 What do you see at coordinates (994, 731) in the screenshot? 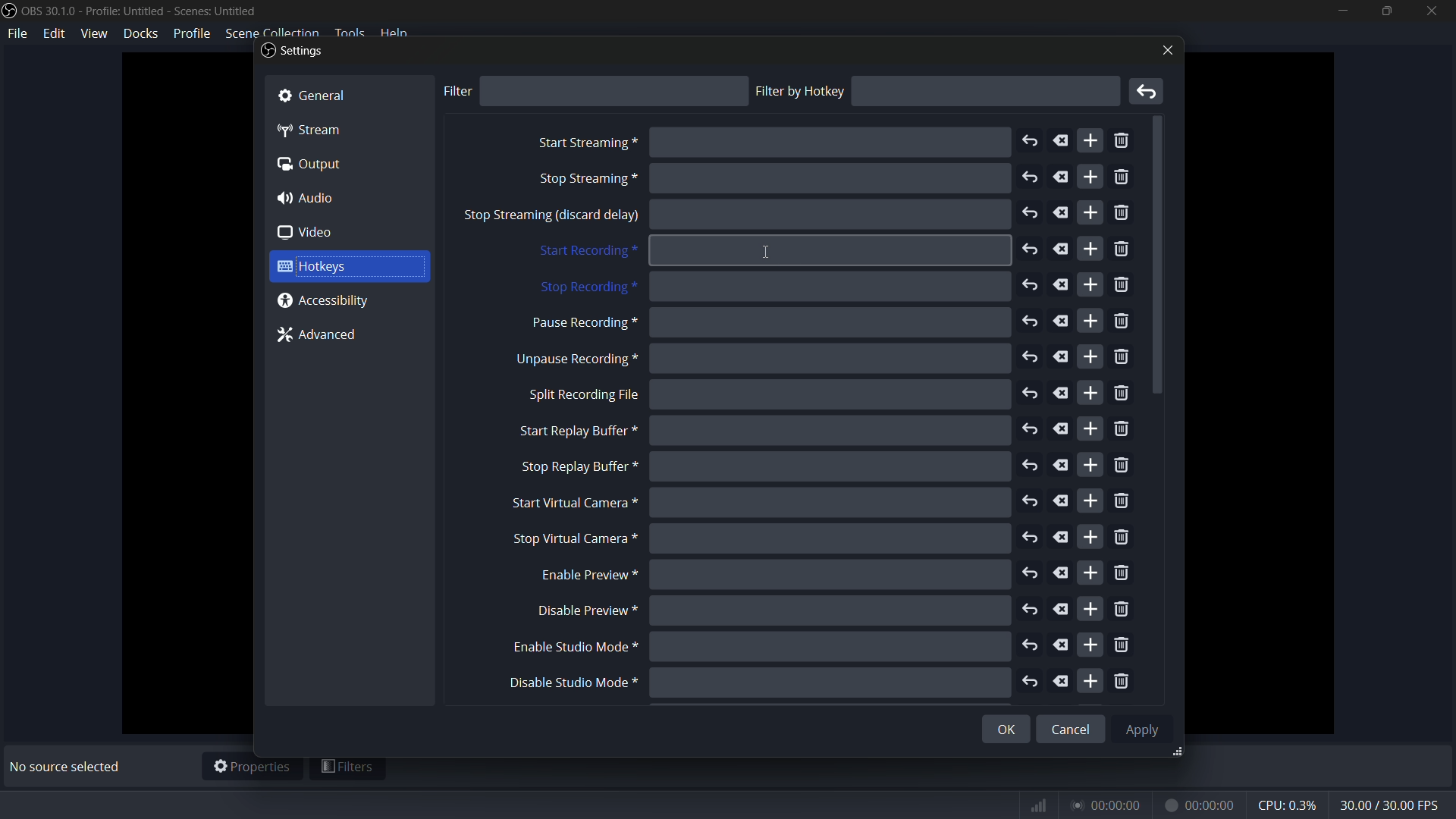
I see `OK` at bounding box center [994, 731].